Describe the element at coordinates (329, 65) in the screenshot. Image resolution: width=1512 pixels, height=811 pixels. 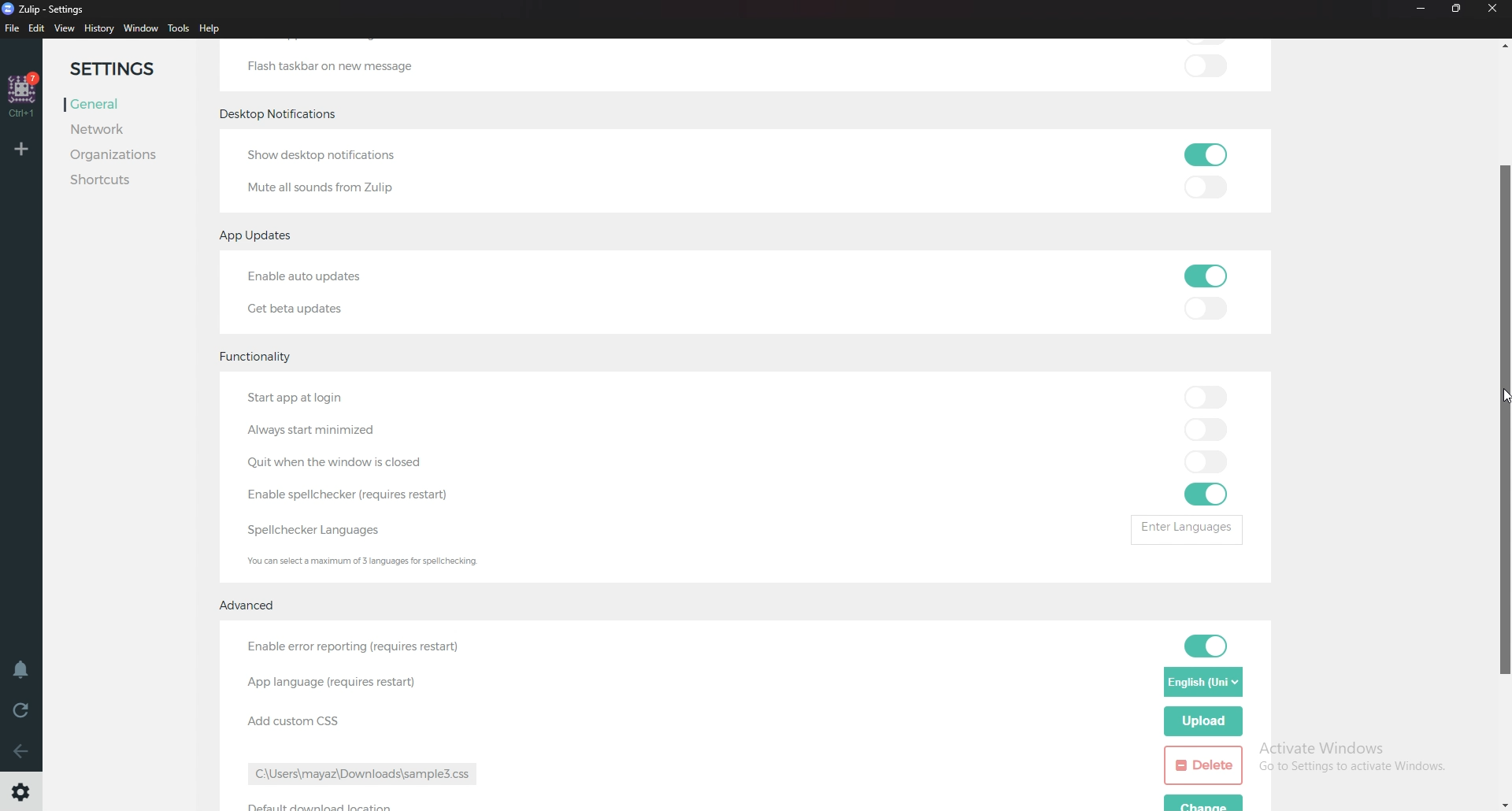
I see `Flash taskbar on new message` at that location.